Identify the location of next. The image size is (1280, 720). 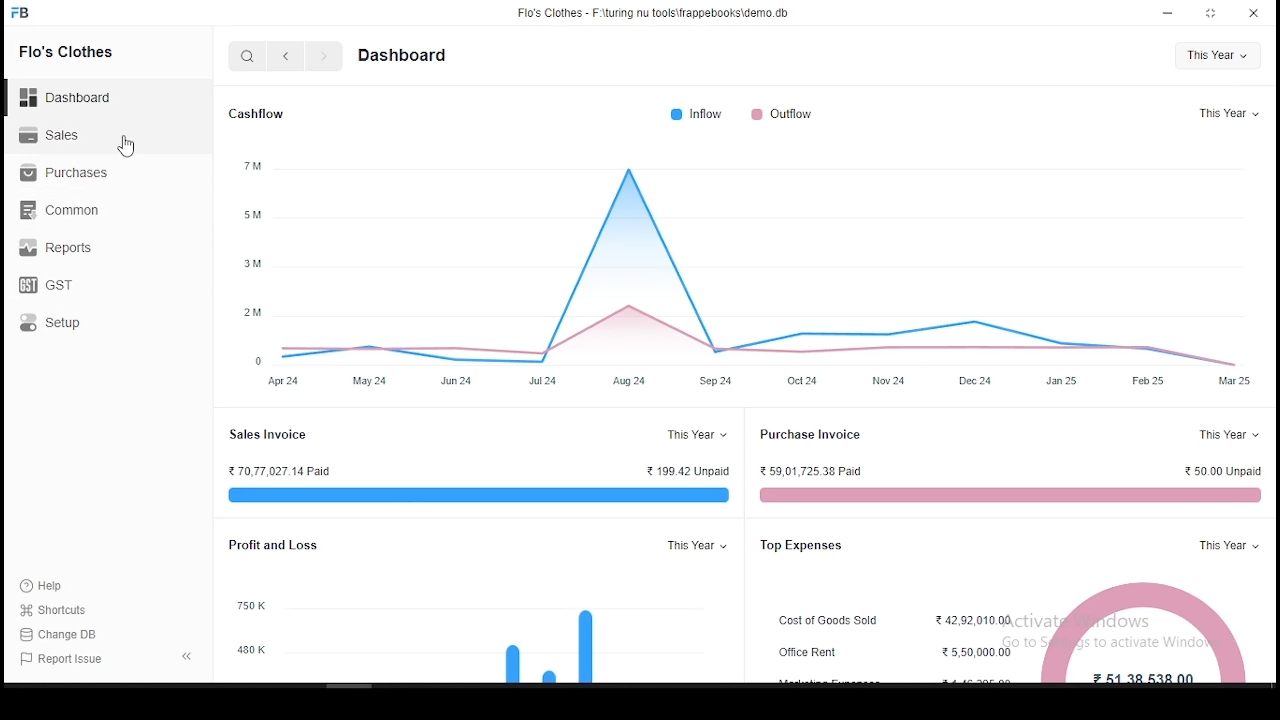
(325, 58).